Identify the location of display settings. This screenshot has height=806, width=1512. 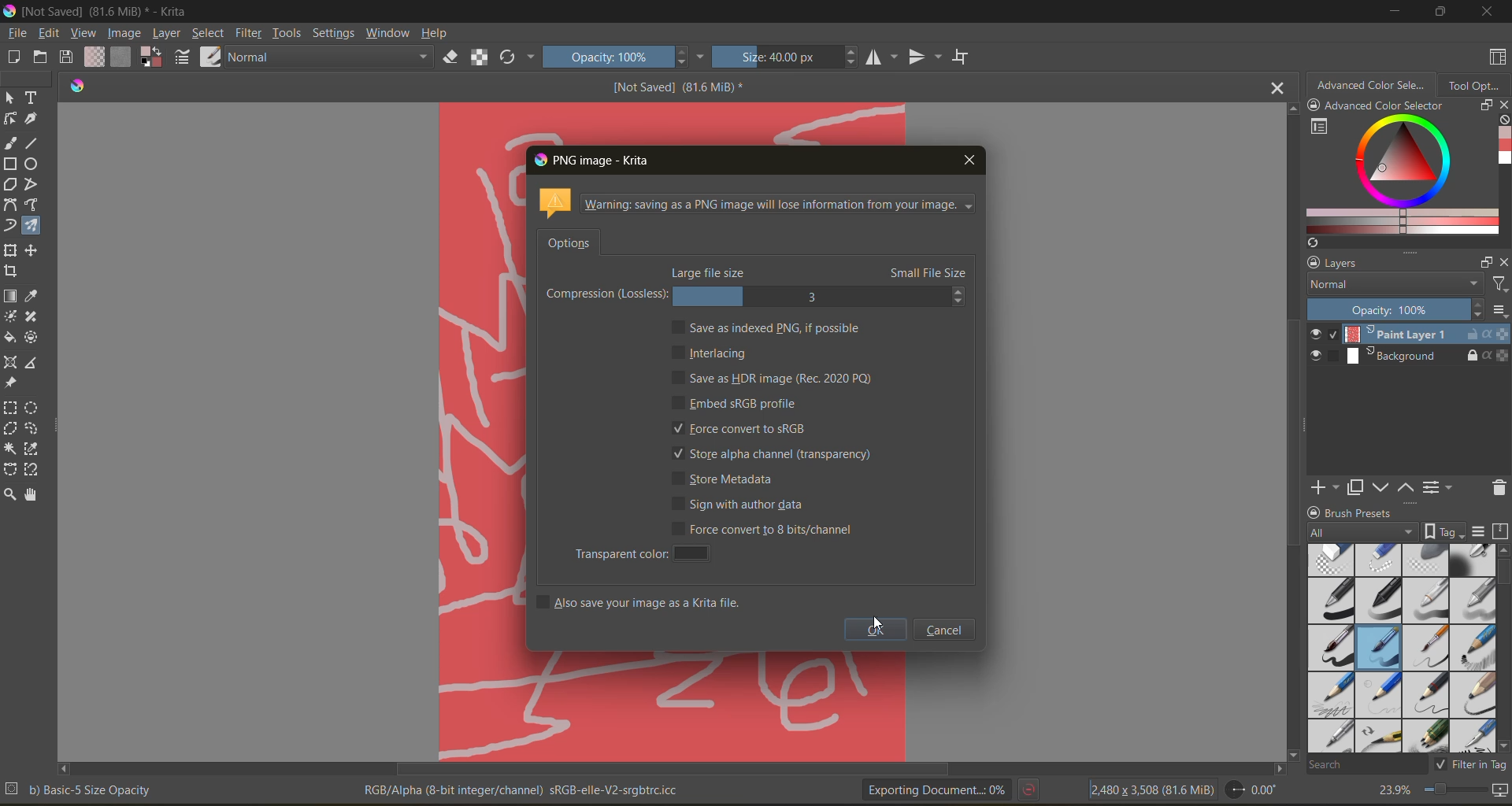
(1478, 531).